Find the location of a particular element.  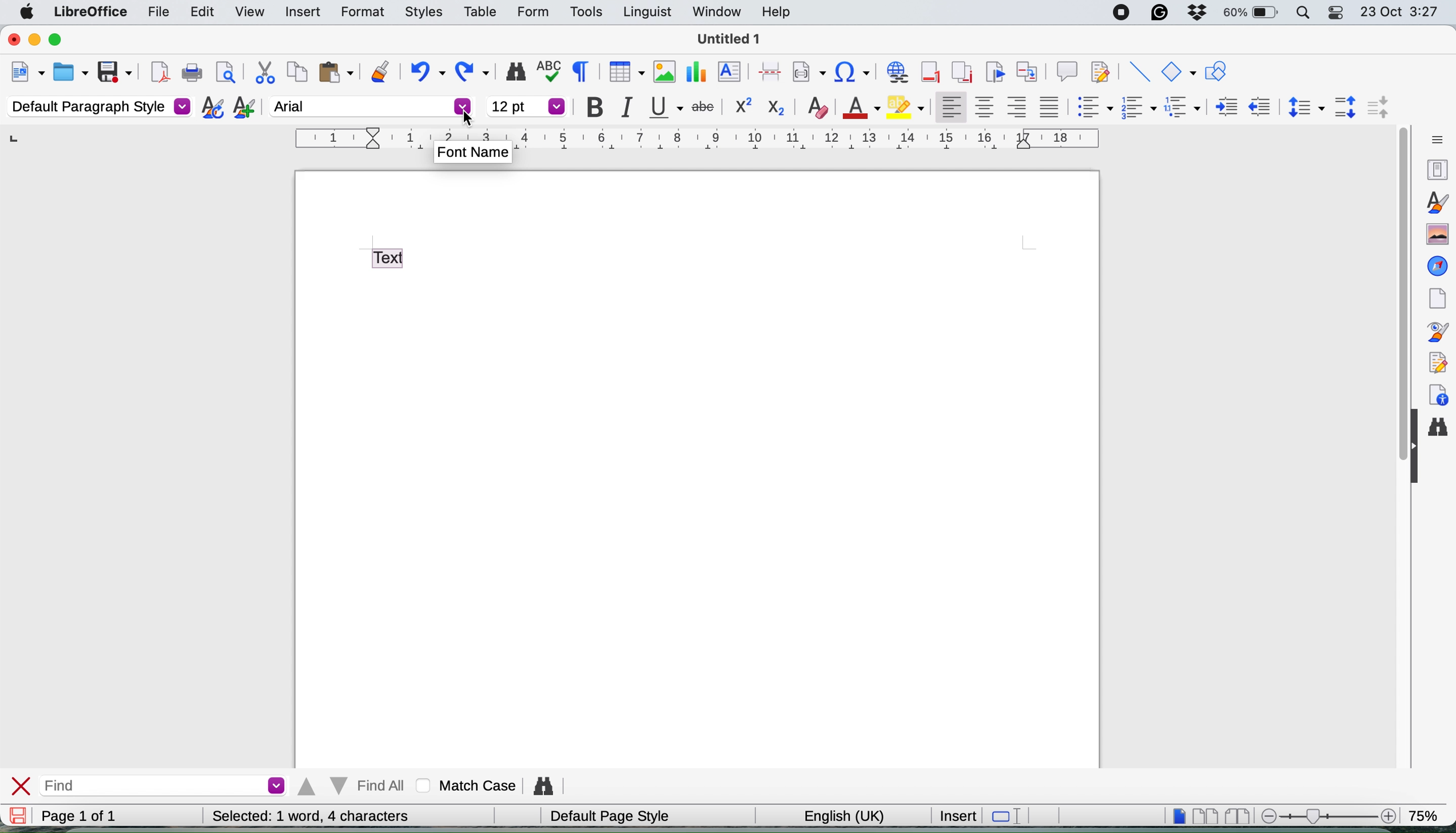

undo is located at coordinates (427, 73).